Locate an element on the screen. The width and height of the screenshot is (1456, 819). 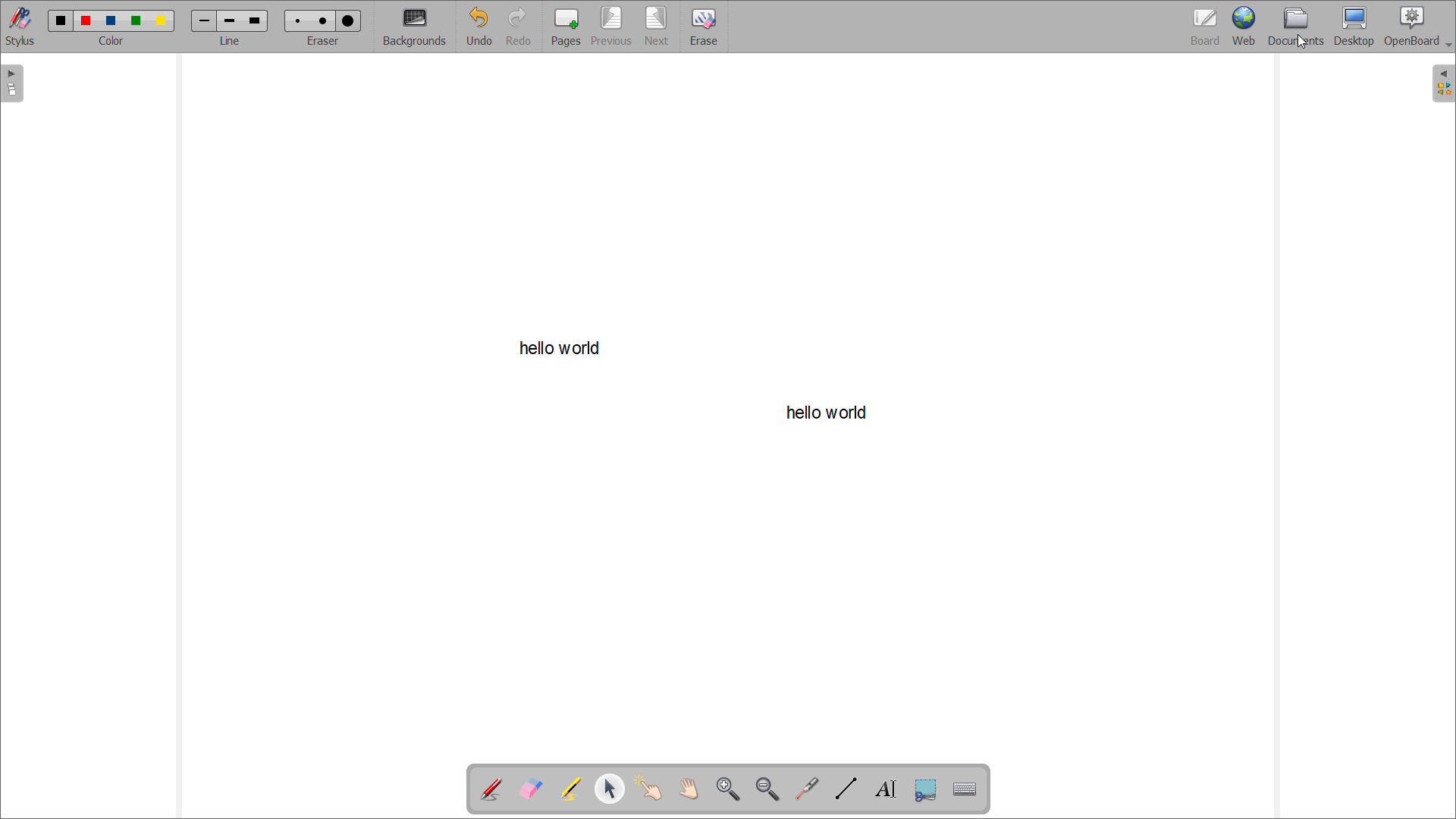
highlight is located at coordinates (573, 788).